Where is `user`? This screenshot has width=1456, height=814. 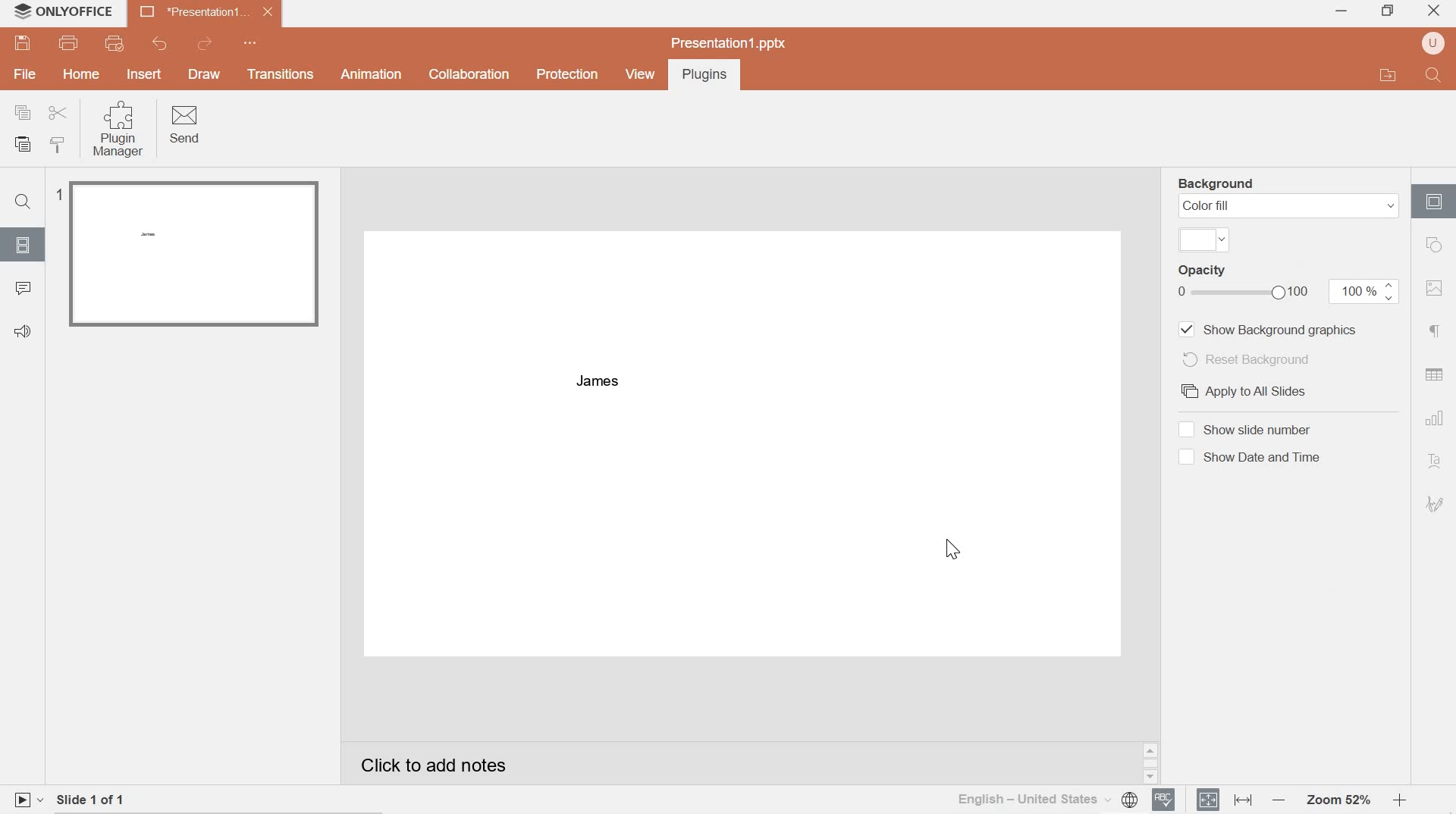
user is located at coordinates (1433, 44).